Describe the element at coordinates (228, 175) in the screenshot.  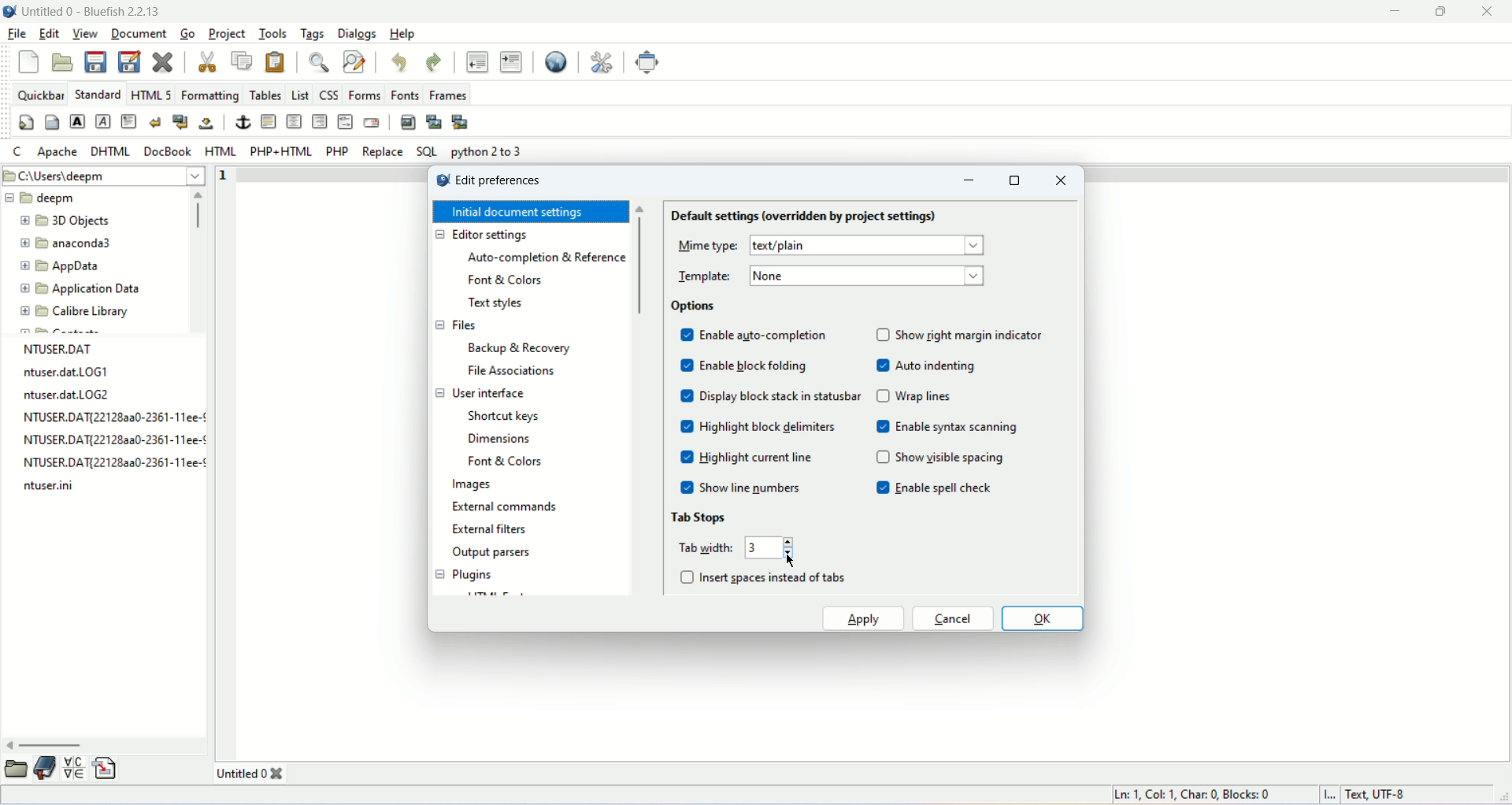
I see `line number` at that location.